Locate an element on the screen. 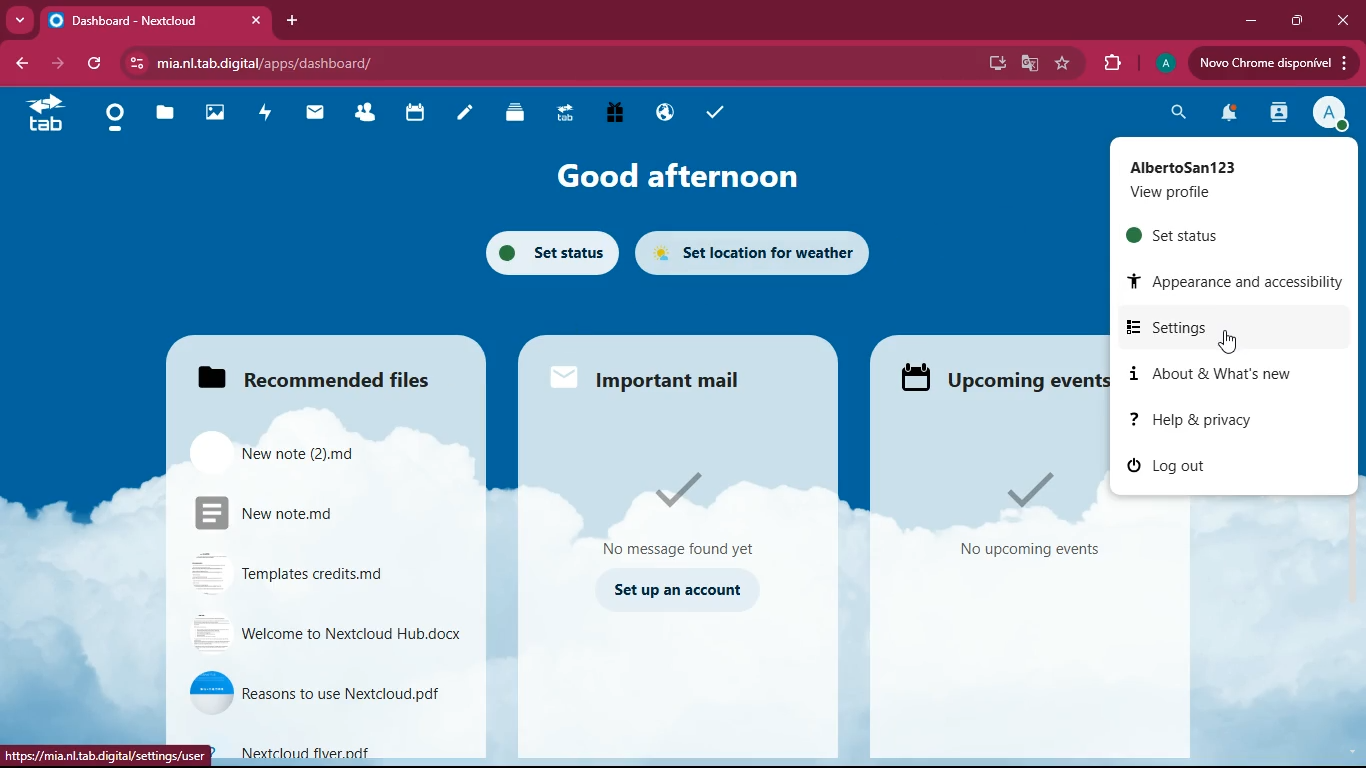 Image resolution: width=1366 pixels, height=768 pixels. search is located at coordinates (1175, 114).